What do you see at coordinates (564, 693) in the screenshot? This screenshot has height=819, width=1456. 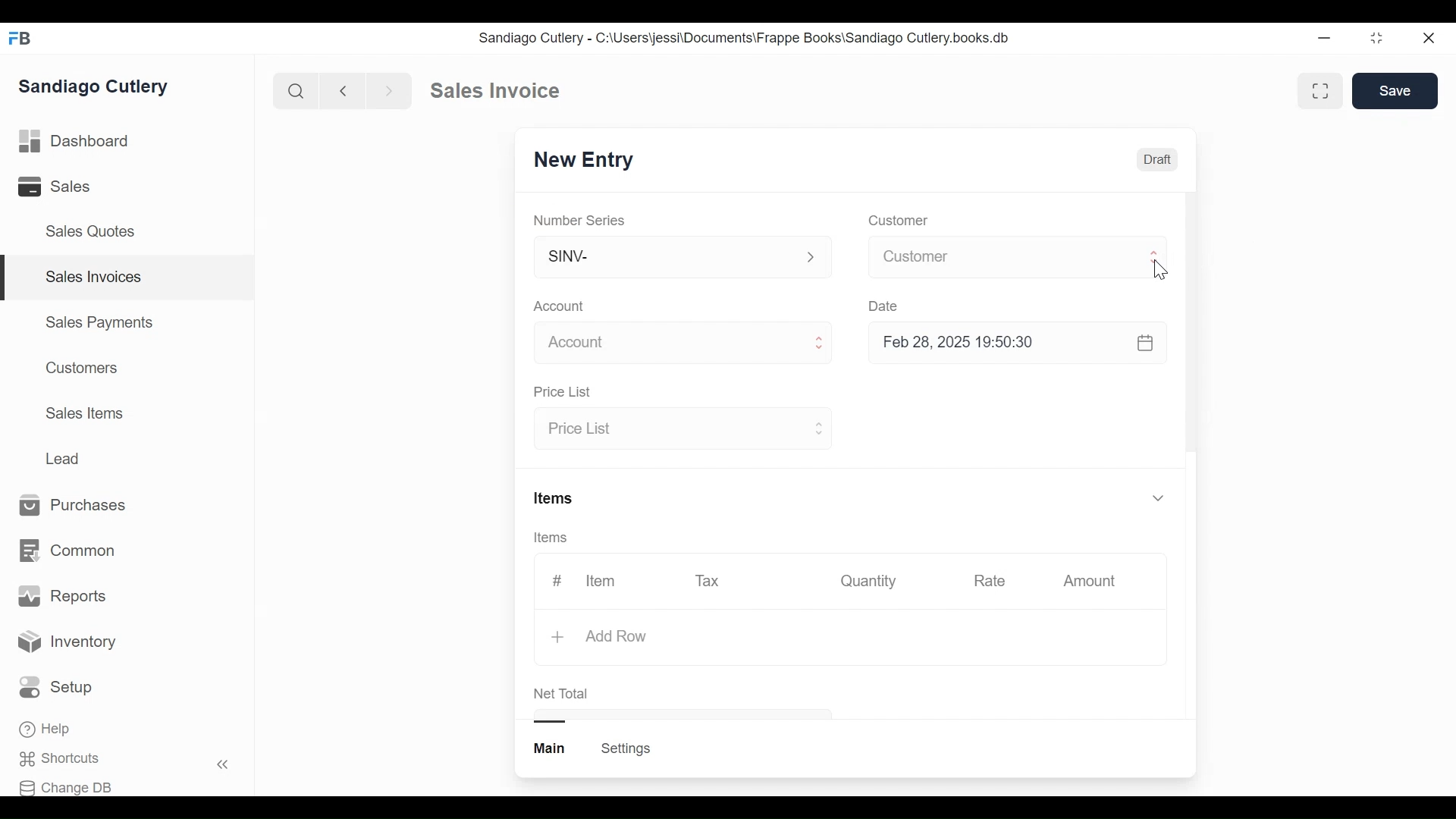 I see `Net Total` at bounding box center [564, 693].